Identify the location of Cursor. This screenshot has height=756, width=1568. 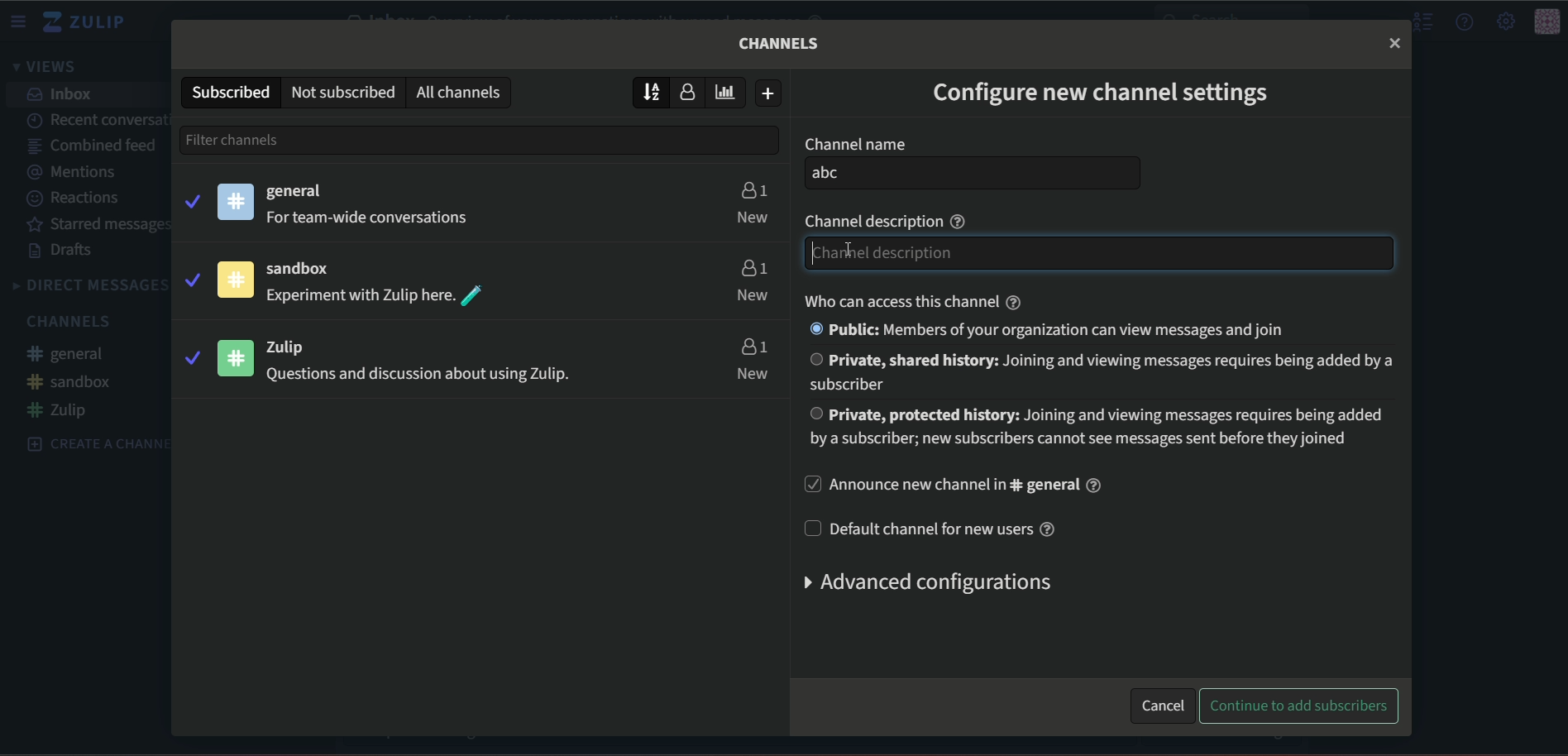
(839, 253).